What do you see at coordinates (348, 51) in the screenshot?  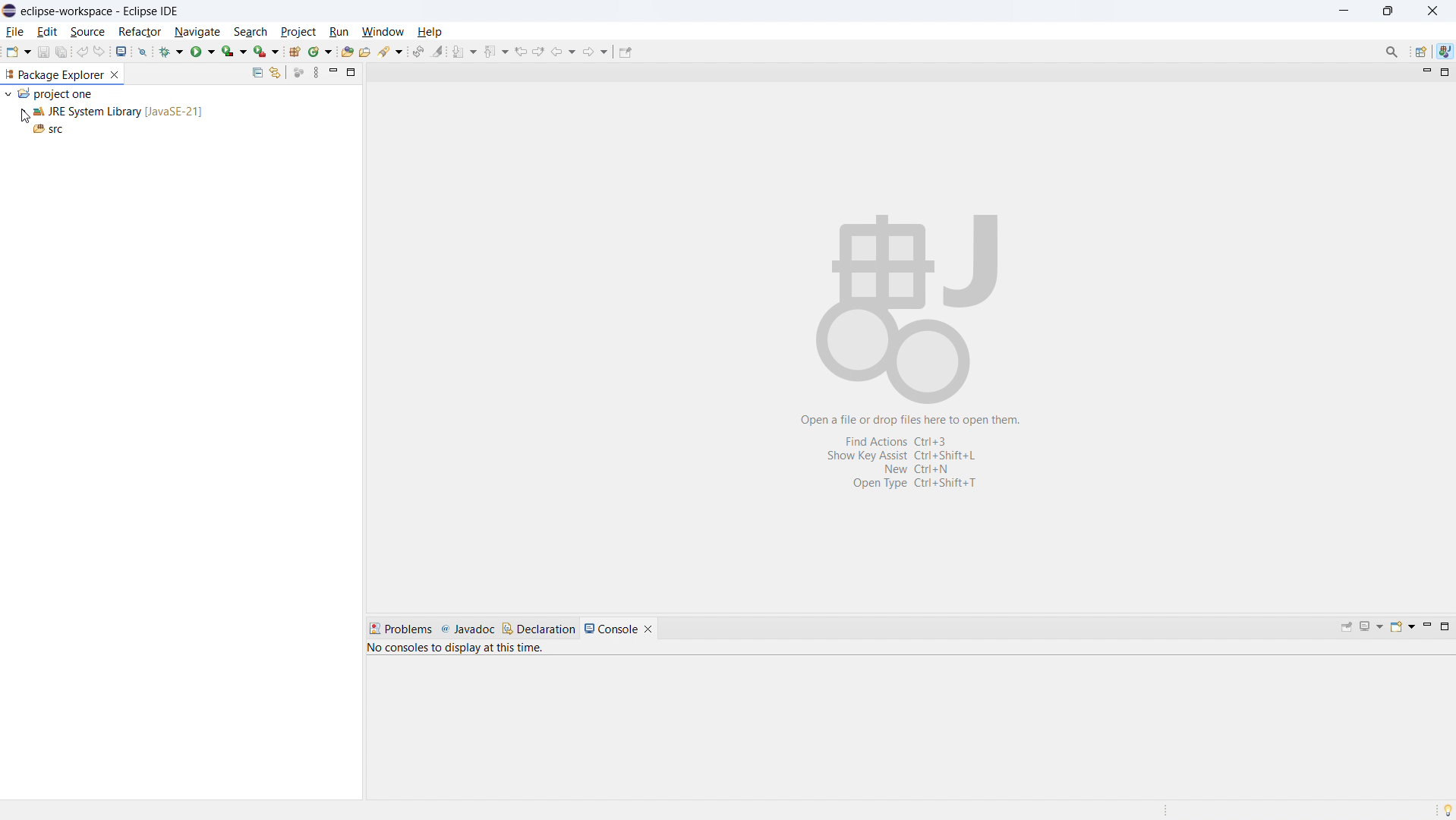 I see `open file` at bounding box center [348, 51].